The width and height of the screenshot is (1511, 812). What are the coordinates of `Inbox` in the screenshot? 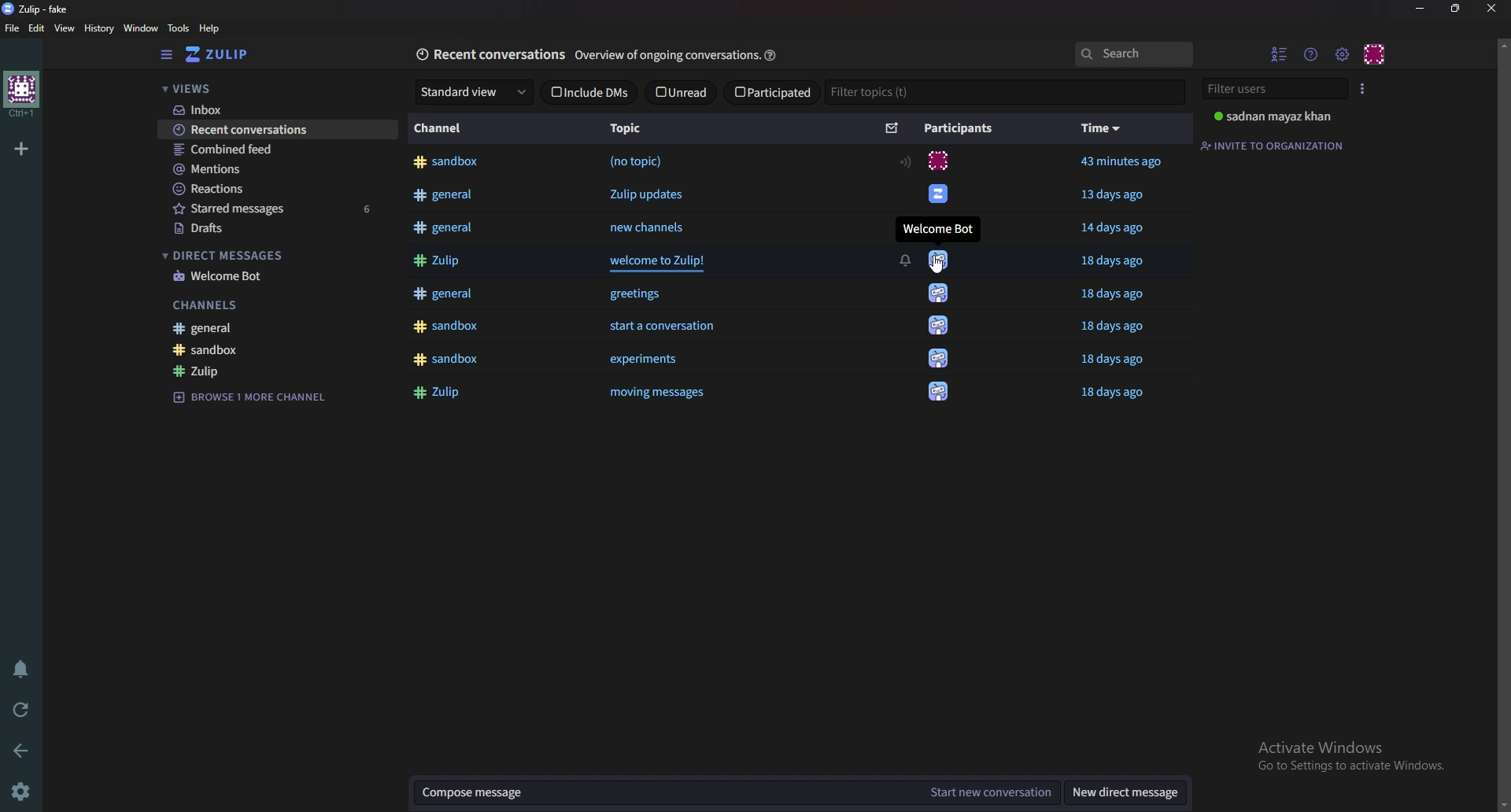 It's located at (275, 109).